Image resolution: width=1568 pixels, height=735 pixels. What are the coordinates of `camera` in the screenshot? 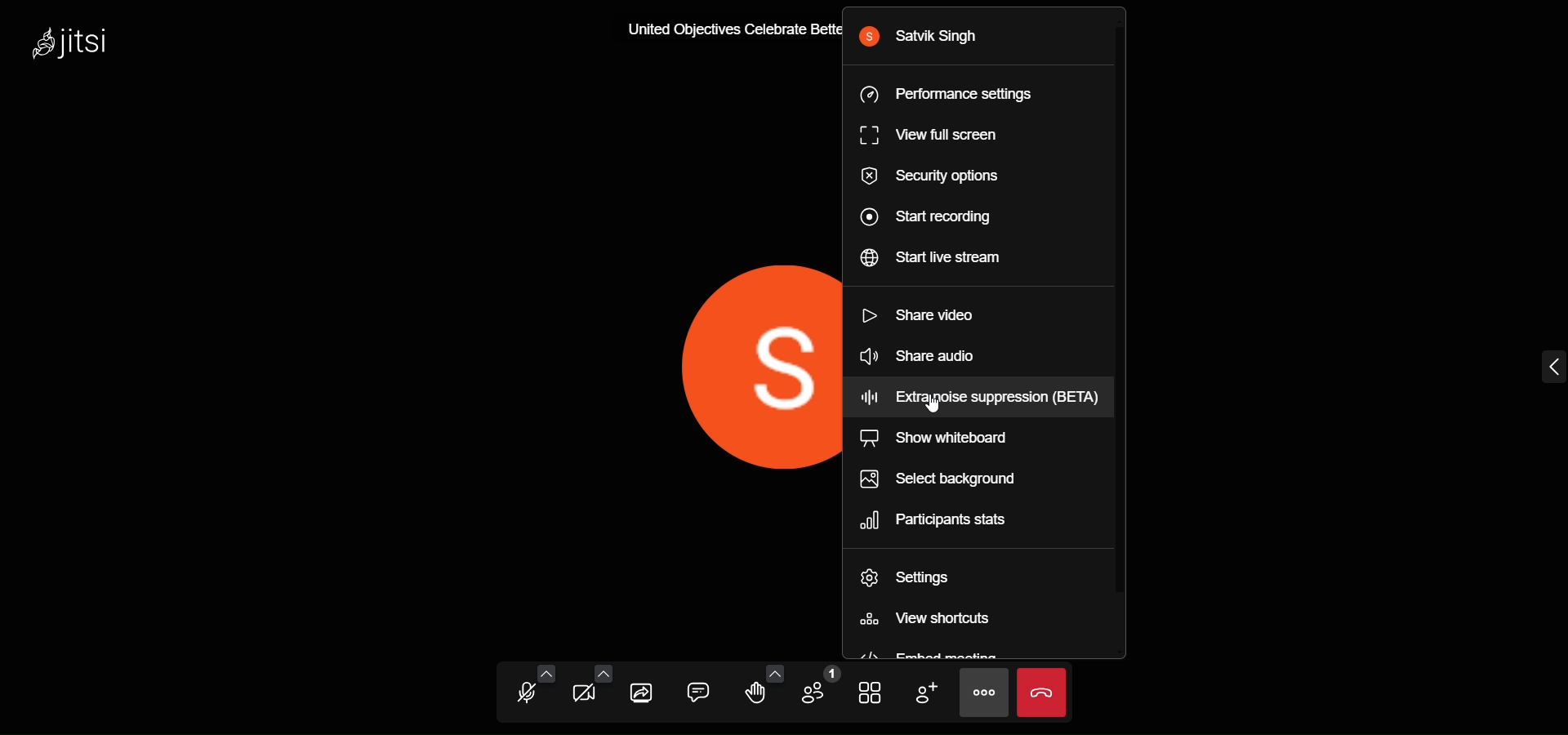 It's located at (585, 696).